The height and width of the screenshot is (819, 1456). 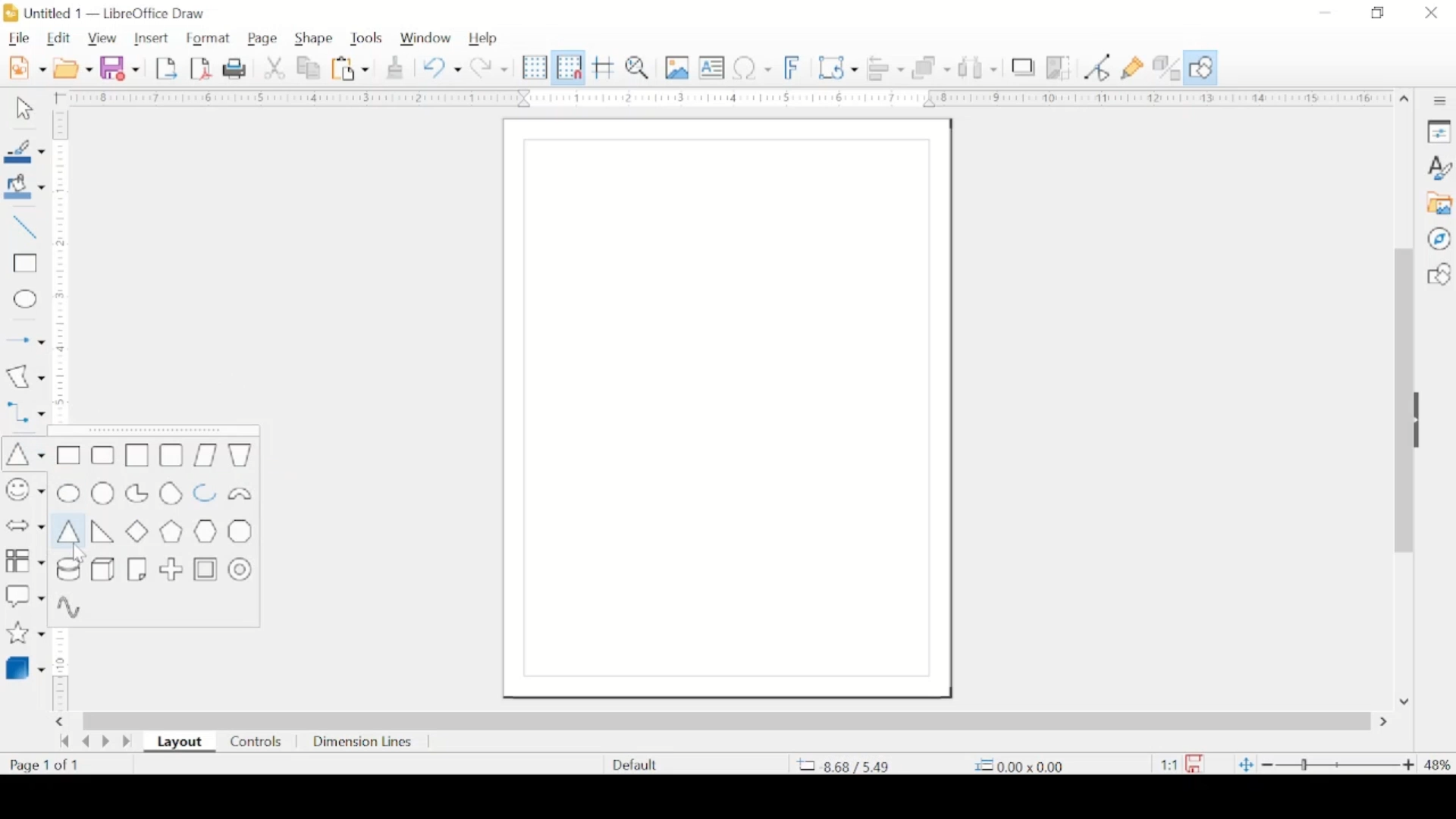 I want to click on folded corner, so click(x=137, y=569).